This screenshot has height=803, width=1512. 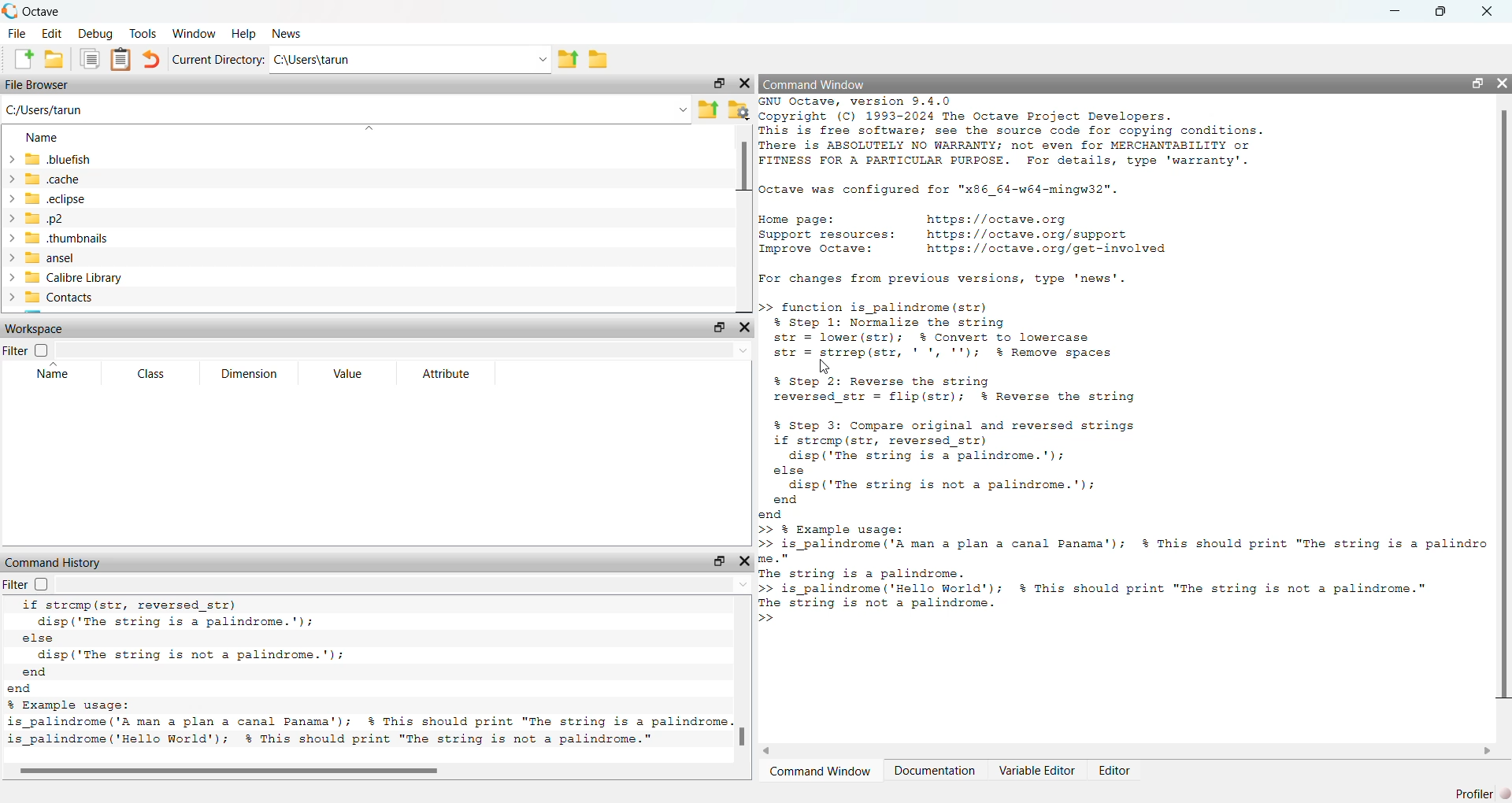 What do you see at coordinates (46, 139) in the screenshot?
I see `name` at bounding box center [46, 139].